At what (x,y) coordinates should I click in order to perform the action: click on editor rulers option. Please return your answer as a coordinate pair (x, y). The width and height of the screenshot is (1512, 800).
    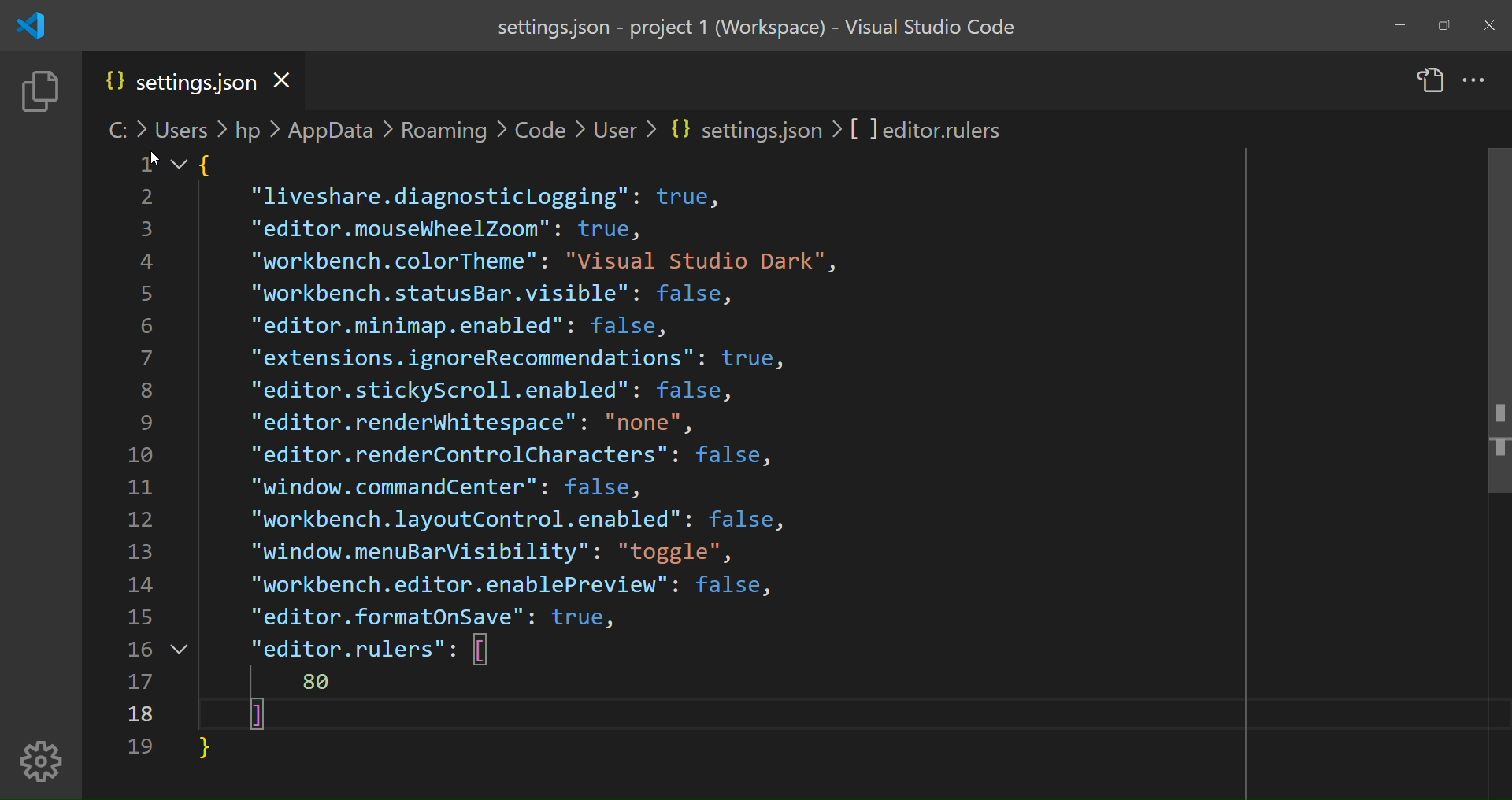
    Looking at the image, I should click on (347, 650).